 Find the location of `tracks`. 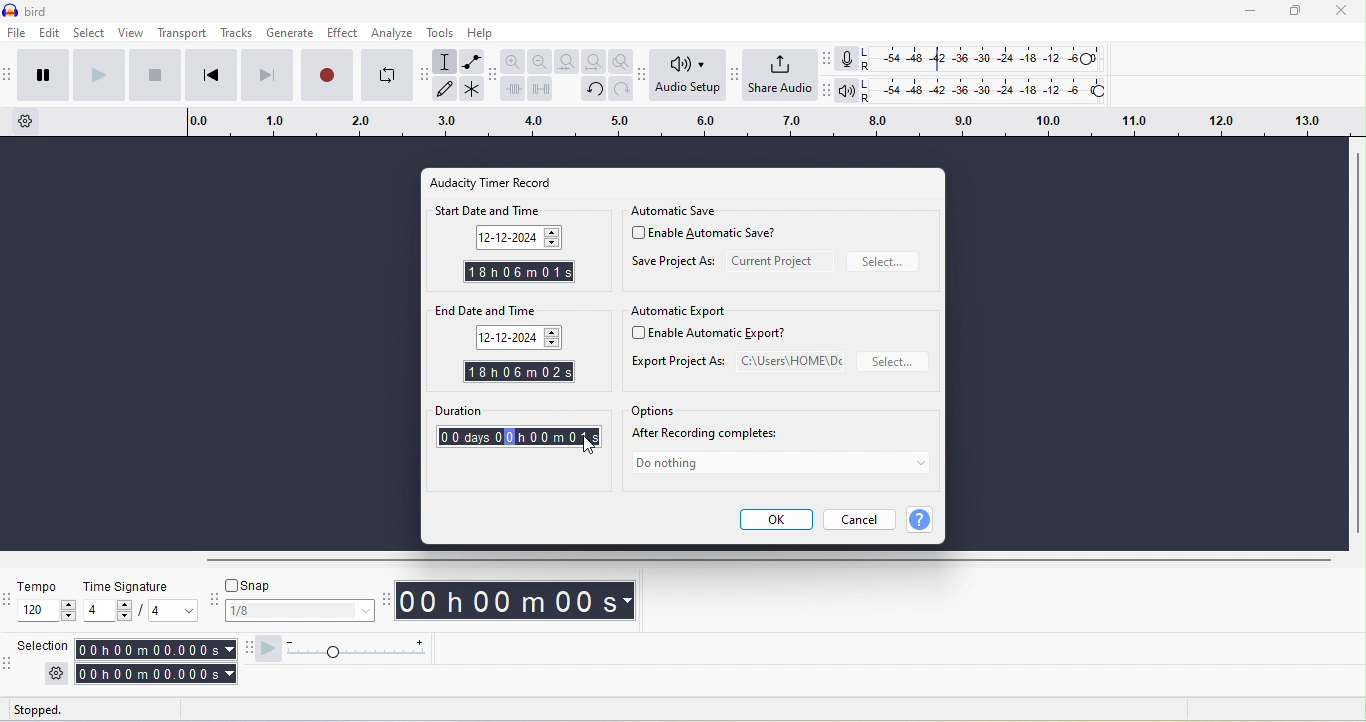

tracks is located at coordinates (236, 34).